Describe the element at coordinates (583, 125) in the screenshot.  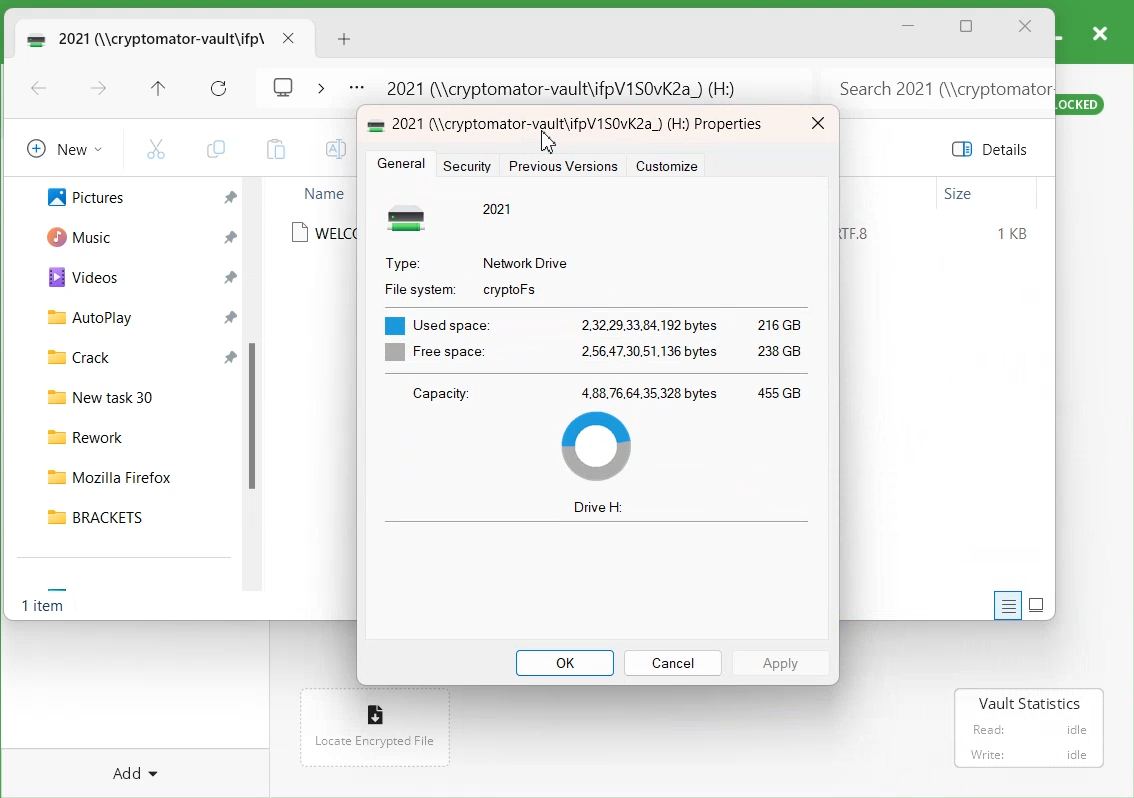
I see `Text 1` at that location.